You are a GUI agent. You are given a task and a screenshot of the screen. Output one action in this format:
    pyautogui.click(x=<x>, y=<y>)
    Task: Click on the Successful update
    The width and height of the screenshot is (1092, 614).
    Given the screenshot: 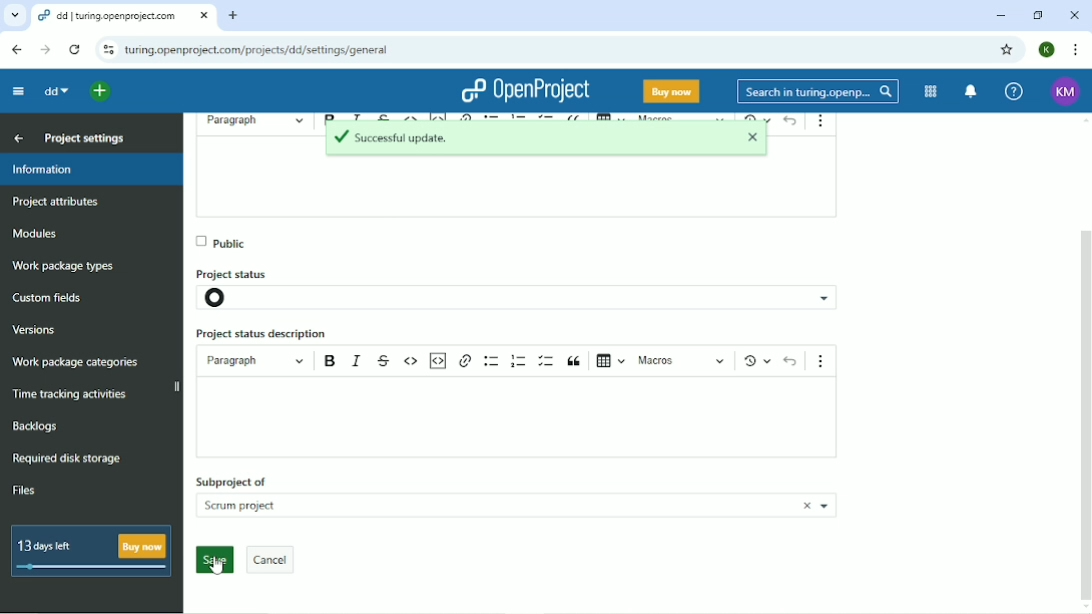 What is the action you would take?
    pyautogui.click(x=522, y=138)
    